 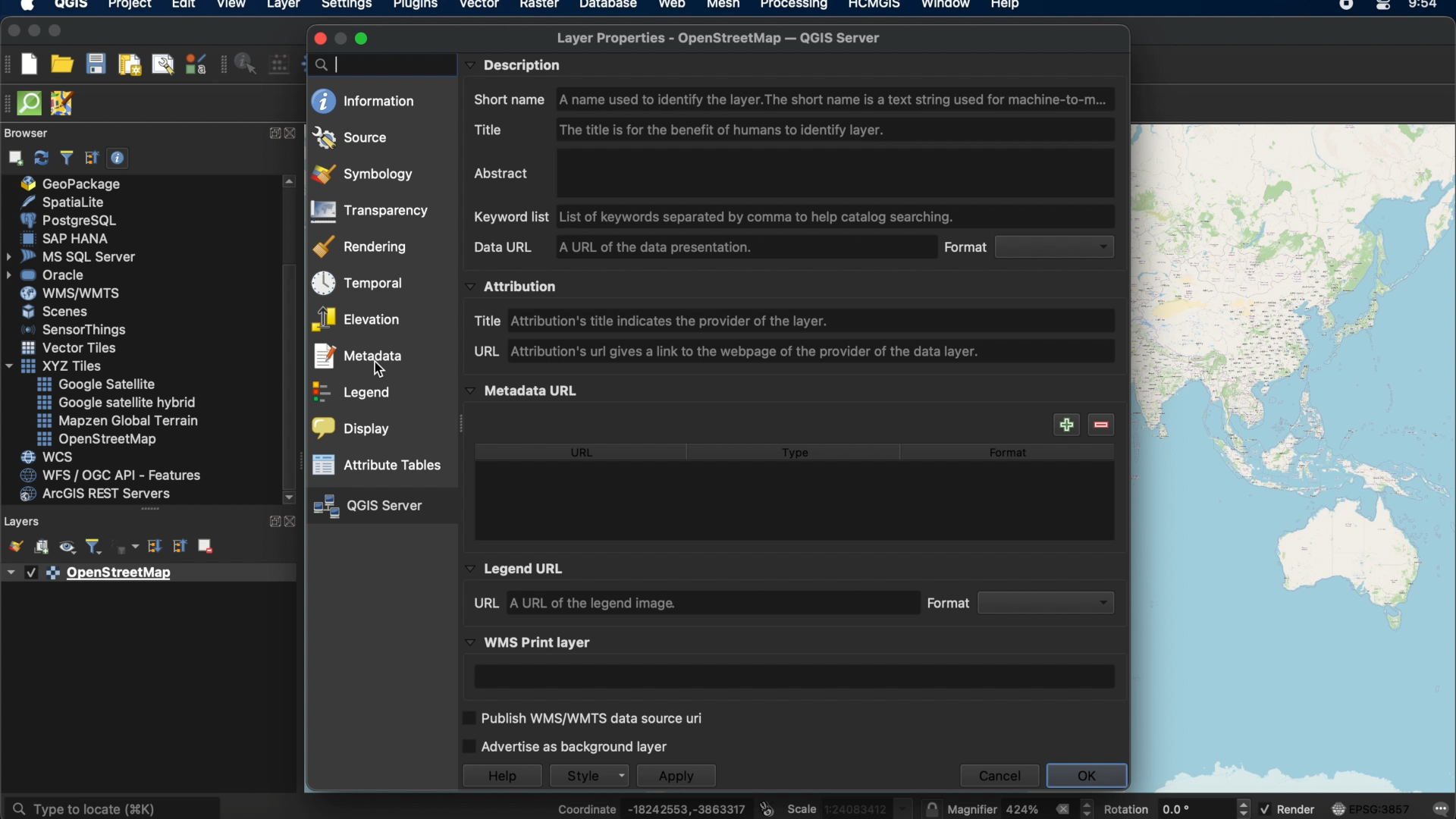 I want to click on expand all, so click(x=155, y=548).